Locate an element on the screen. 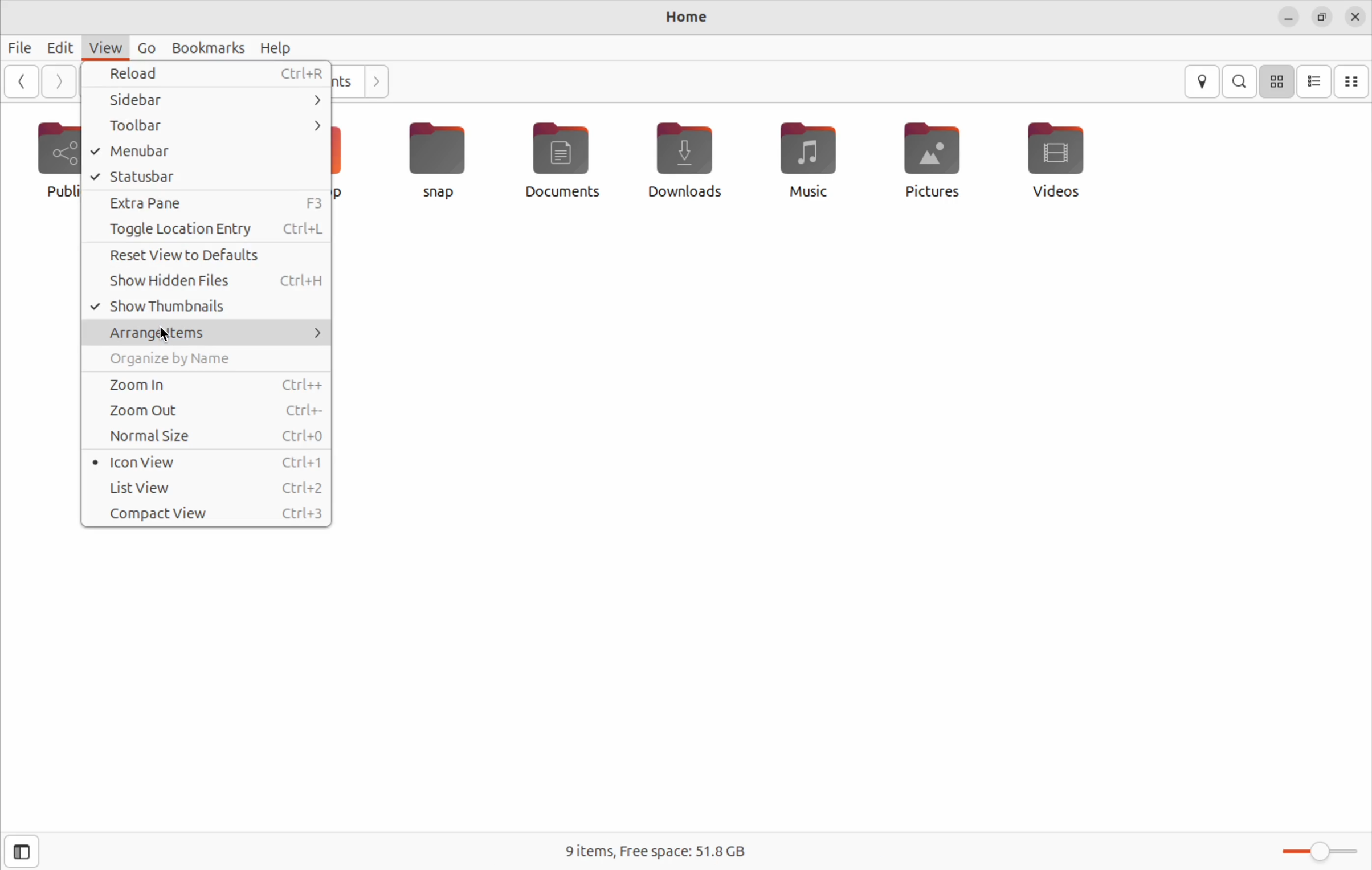 The image size is (1372, 870). compact view is located at coordinates (208, 512).